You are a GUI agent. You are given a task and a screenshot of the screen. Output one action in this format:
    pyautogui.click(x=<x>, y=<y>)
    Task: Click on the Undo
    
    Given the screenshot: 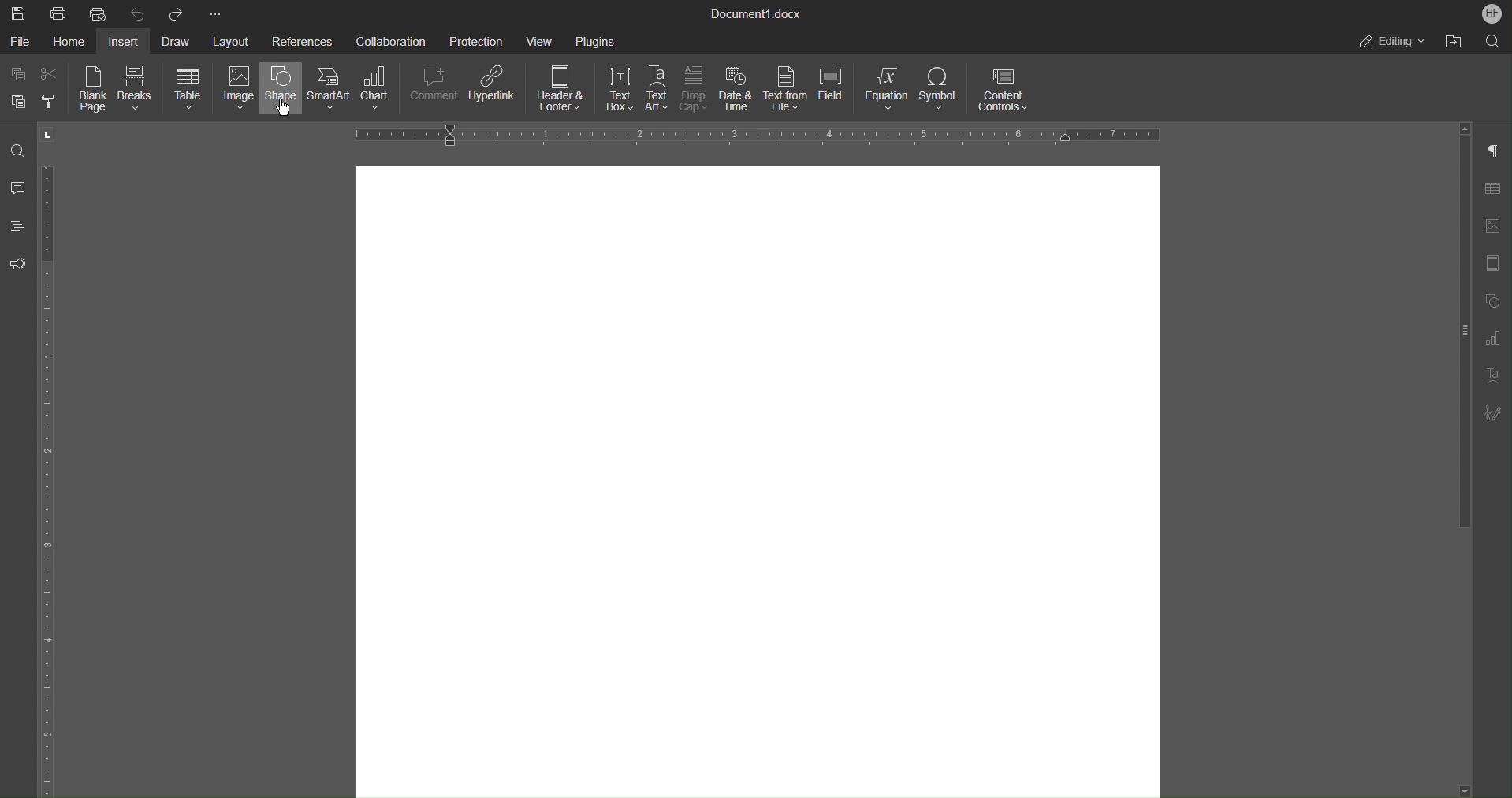 What is the action you would take?
    pyautogui.click(x=138, y=13)
    